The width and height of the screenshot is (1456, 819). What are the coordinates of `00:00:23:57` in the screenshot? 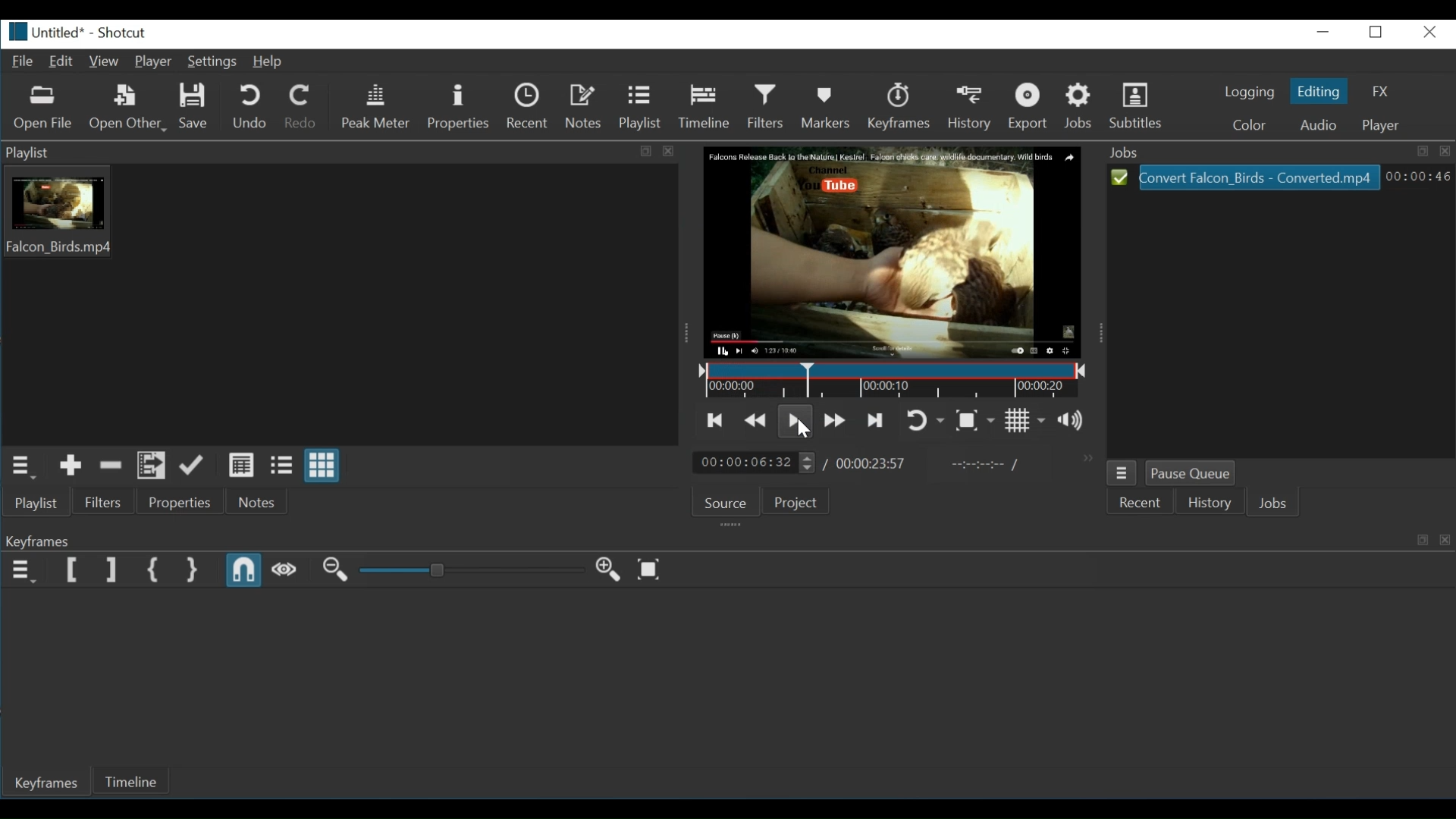 It's located at (873, 463).